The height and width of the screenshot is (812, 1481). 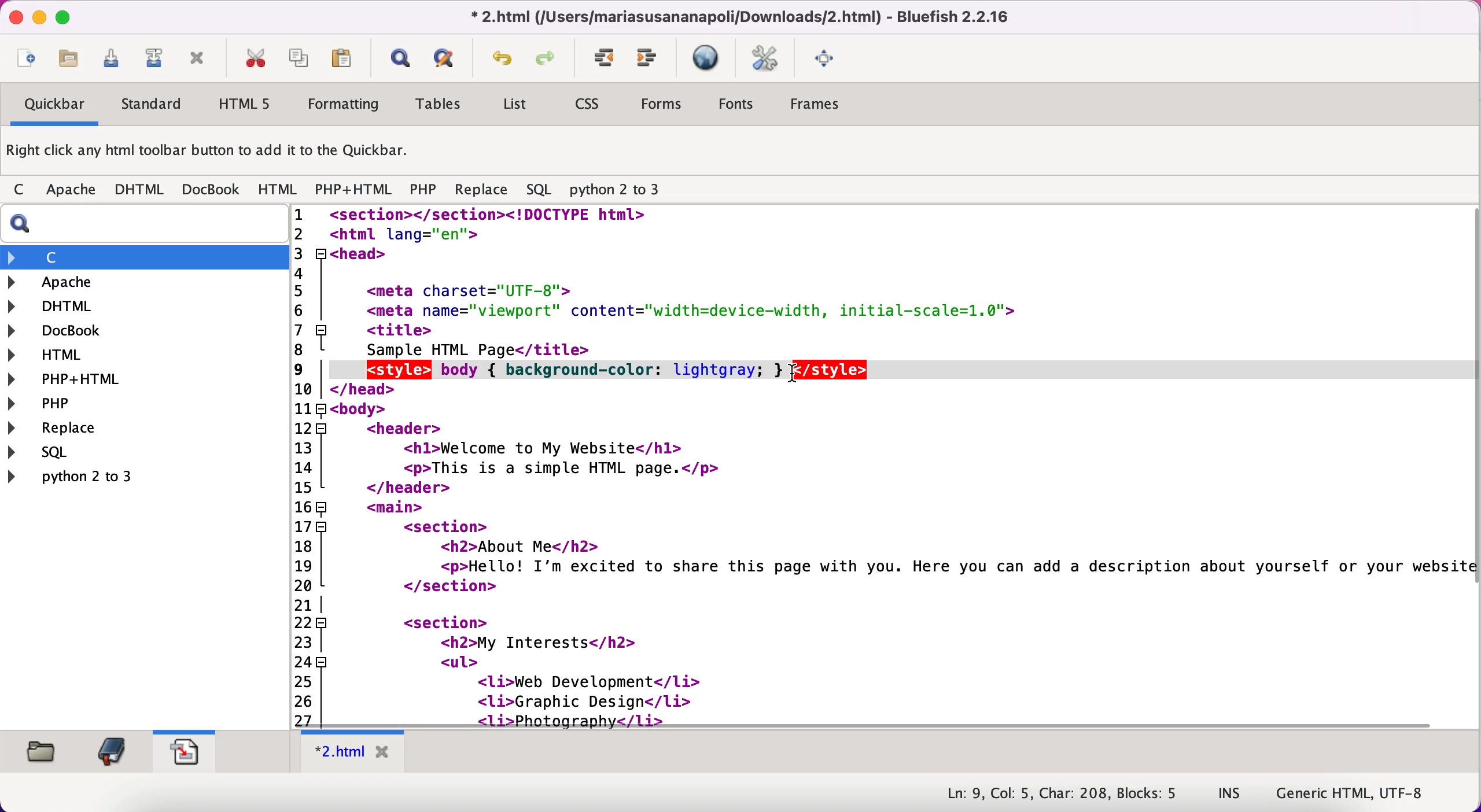 What do you see at coordinates (447, 58) in the screenshot?
I see `advanced find and replace` at bounding box center [447, 58].